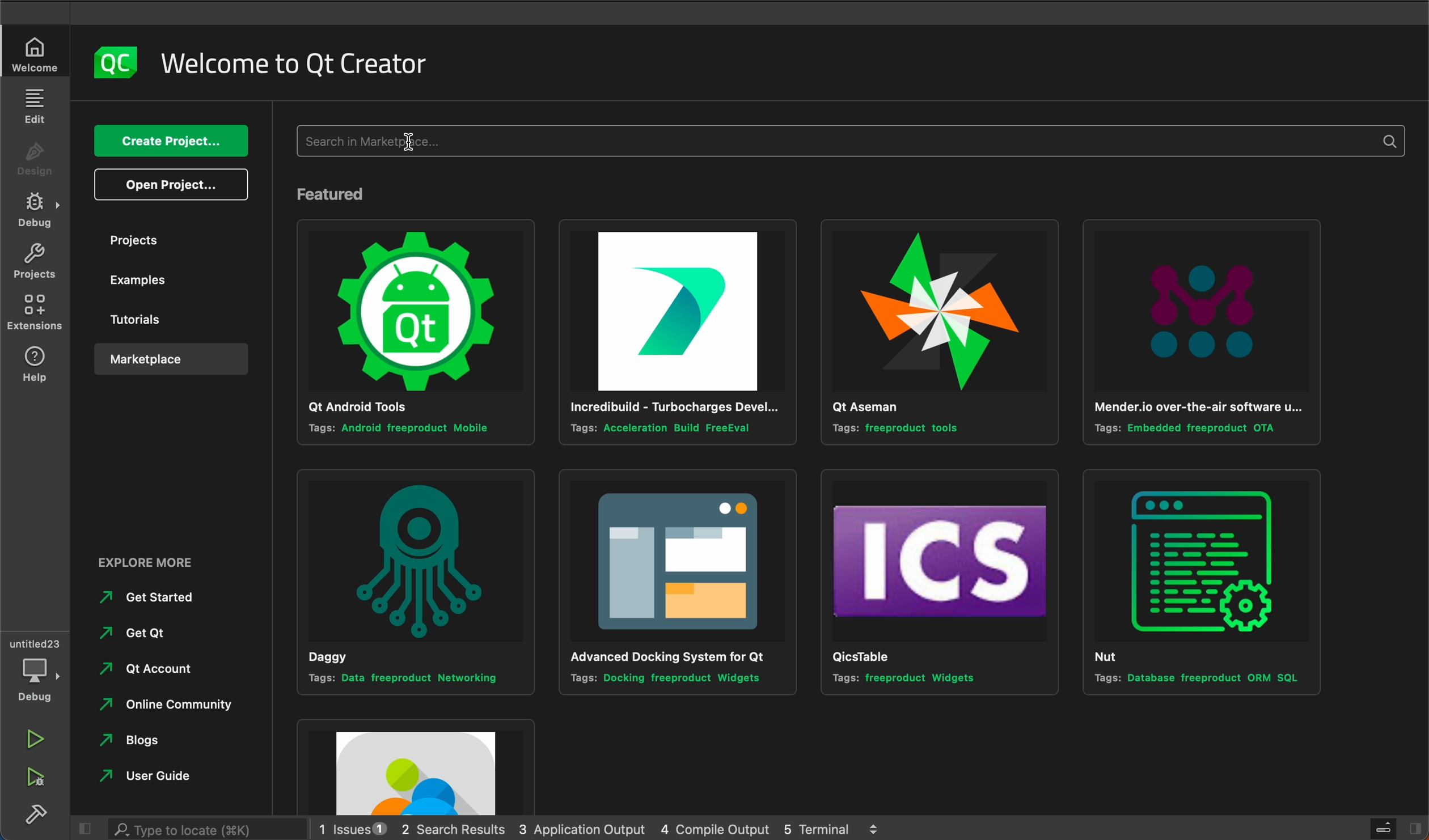 This screenshot has height=840, width=1429. Describe the element at coordinates (151, 632) in the screenshot. I see `` at that location.